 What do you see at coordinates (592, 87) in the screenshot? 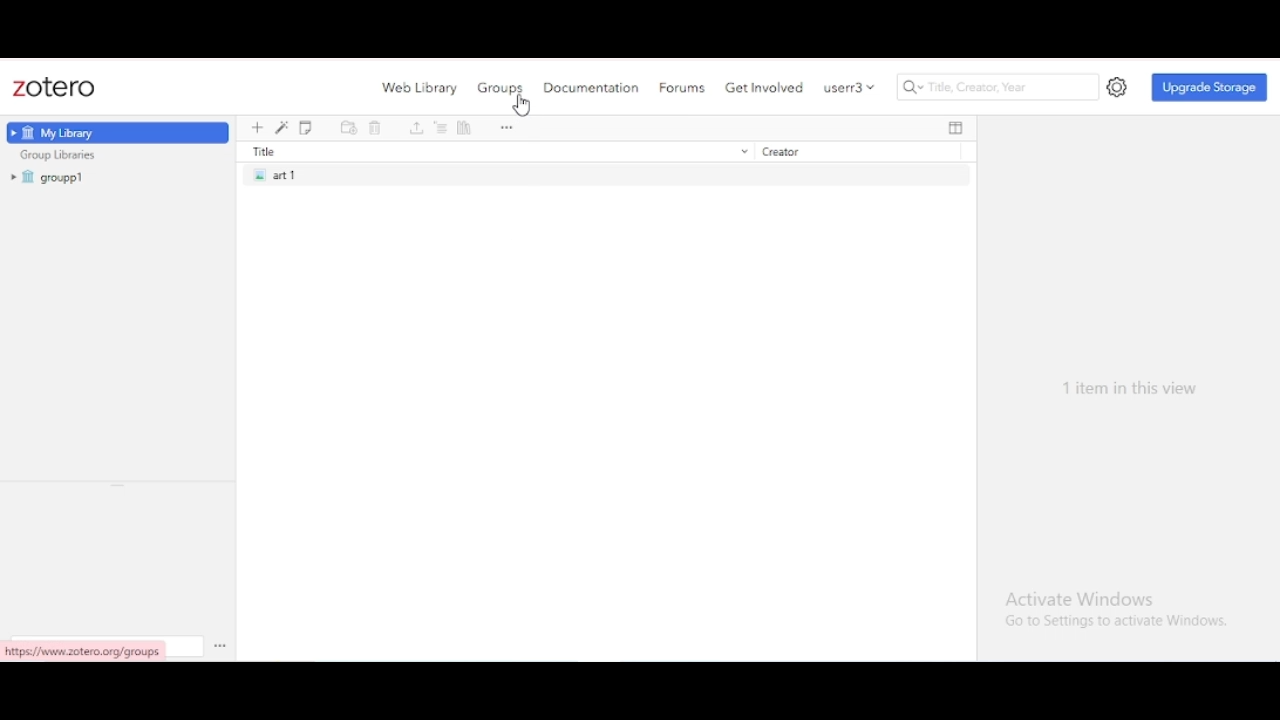
I see `documentation` at bounding box center [592, 87].